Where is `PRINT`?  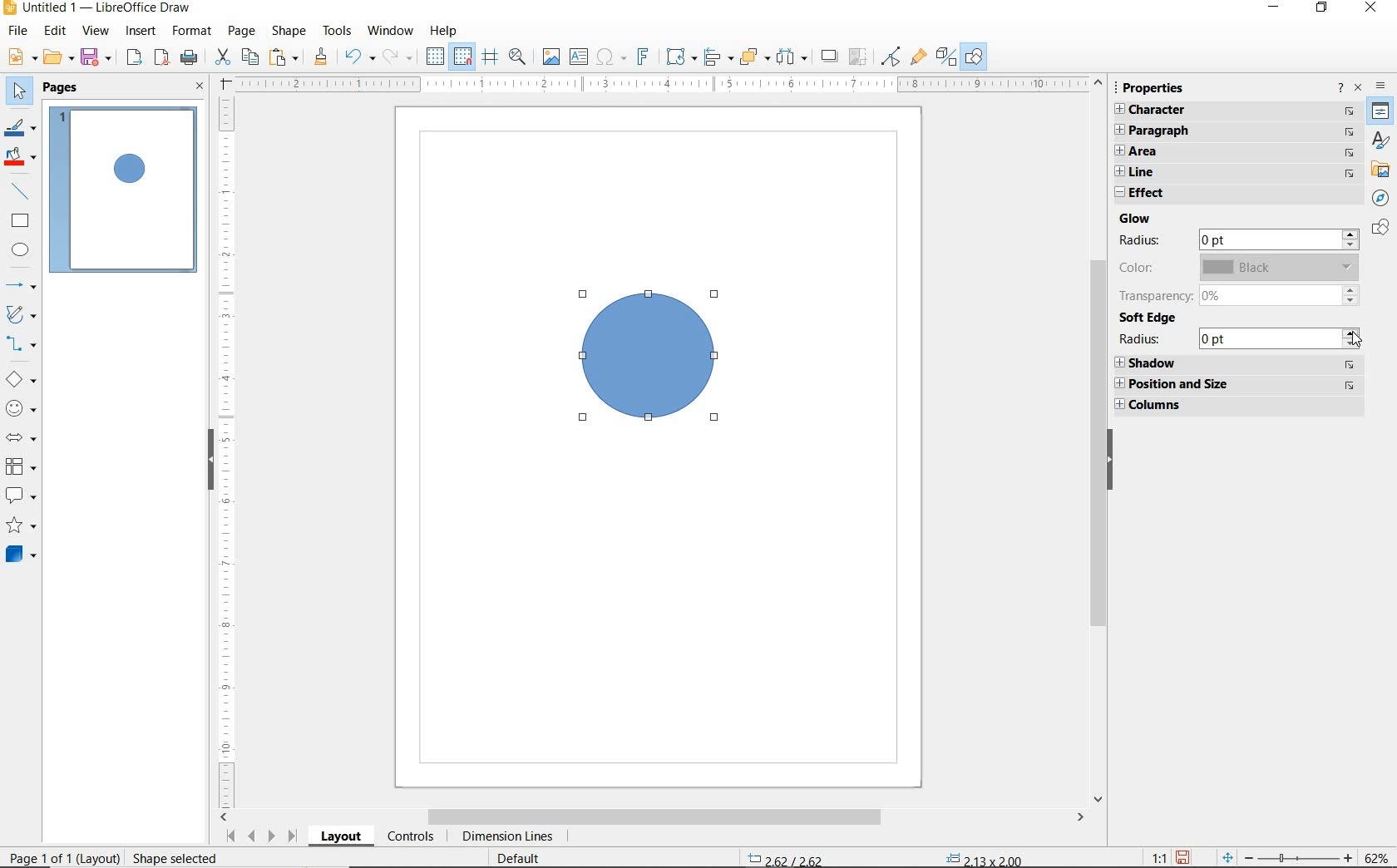 PRINT is located at coordinates (189, 57).